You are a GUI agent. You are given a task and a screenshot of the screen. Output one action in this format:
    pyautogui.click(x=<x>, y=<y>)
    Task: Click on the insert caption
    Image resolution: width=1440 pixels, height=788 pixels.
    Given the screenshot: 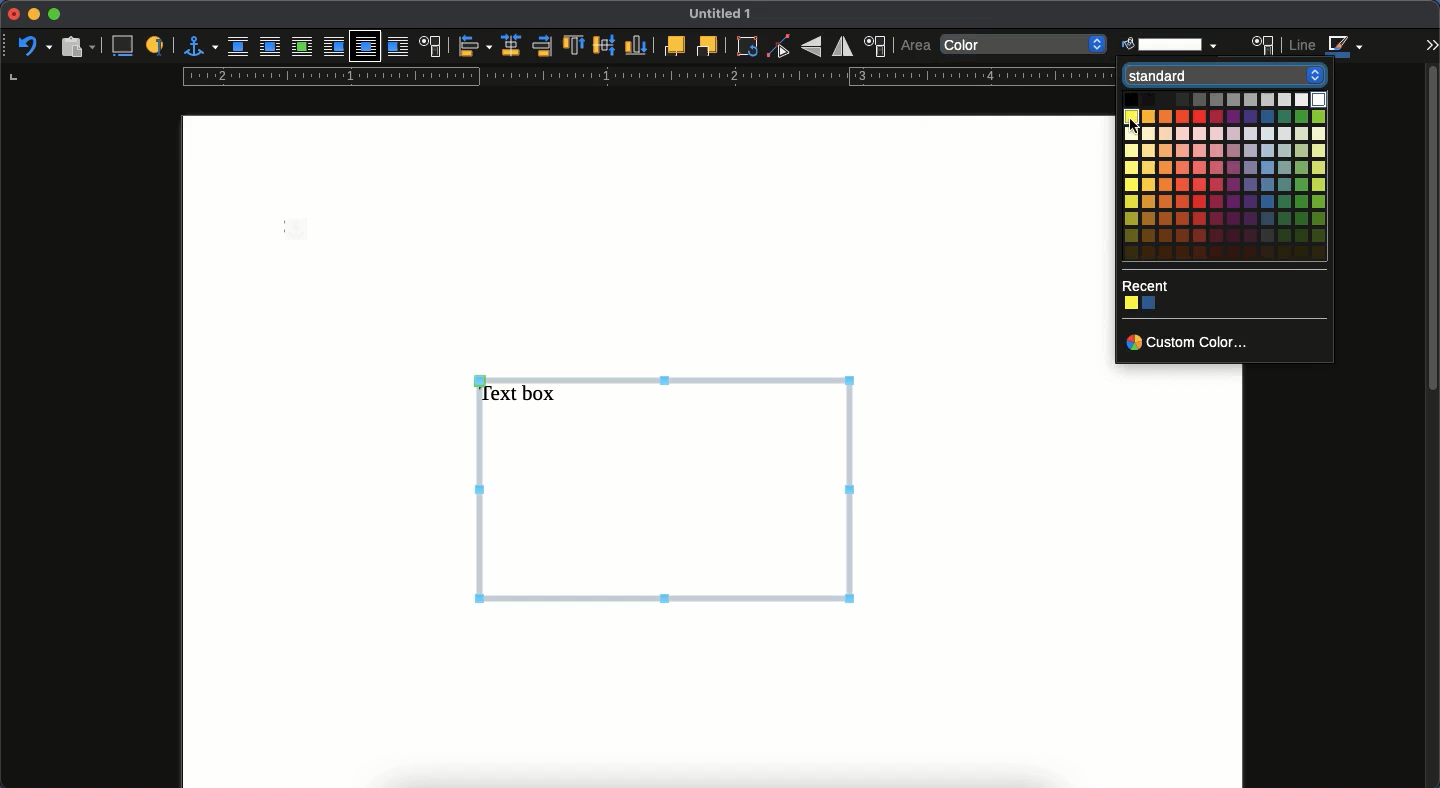 What is the action you would take?
    pyautogui.click(x=126, y=45)
    